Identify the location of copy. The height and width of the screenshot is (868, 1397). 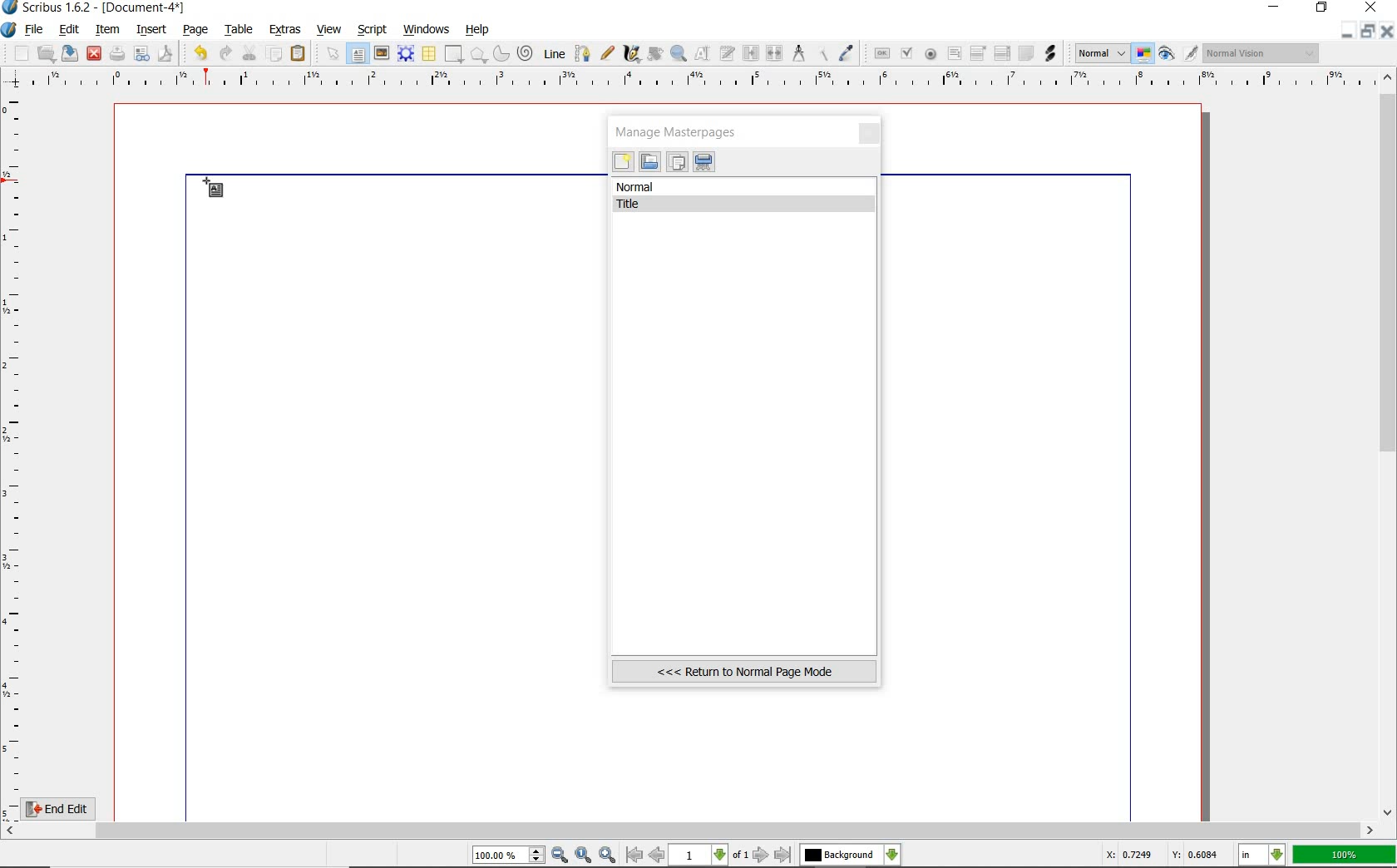
(274, 52).